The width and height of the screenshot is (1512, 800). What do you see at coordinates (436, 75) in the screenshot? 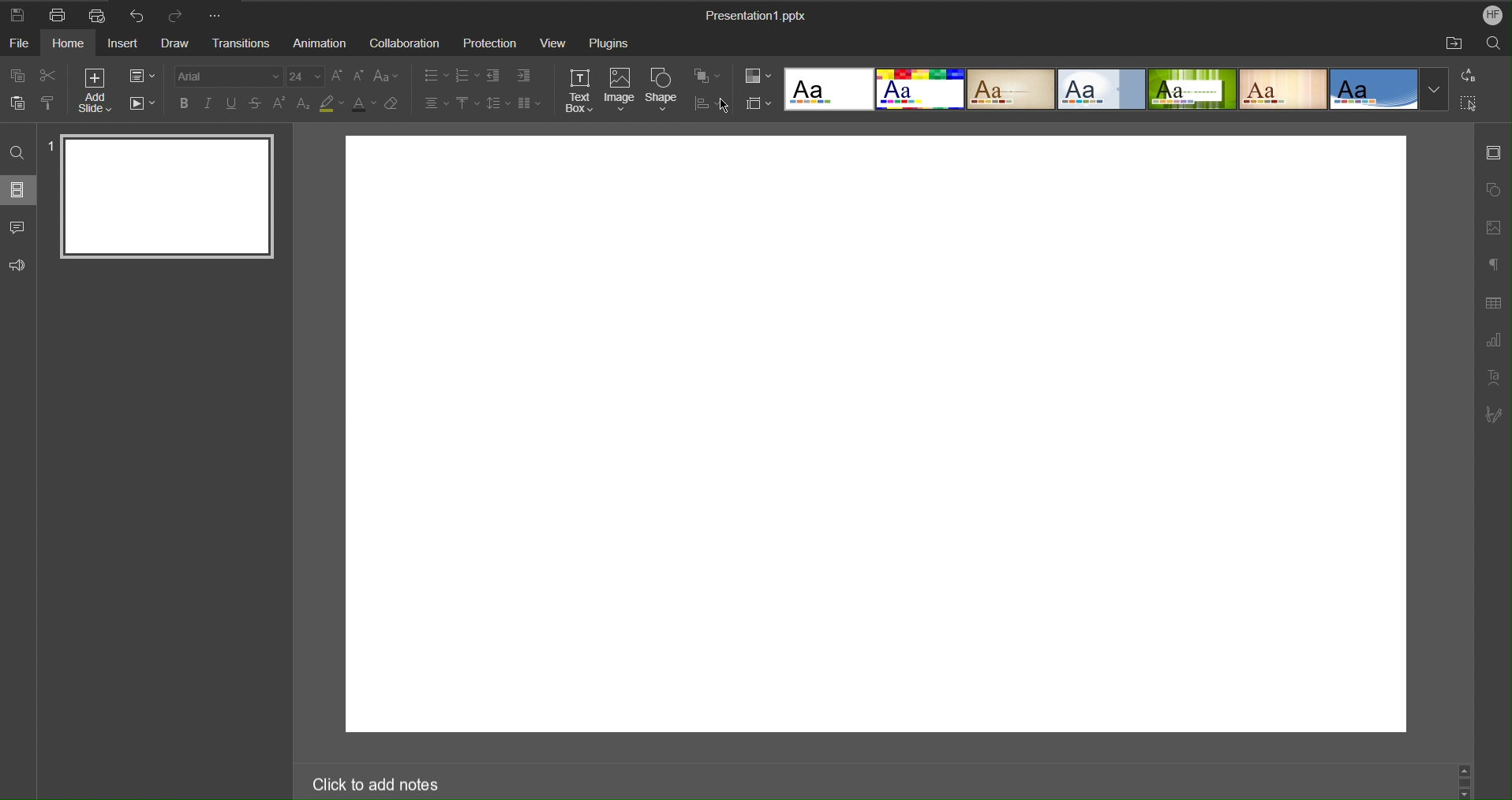
I see `Bullet Points` at bounding box center [436, 75].